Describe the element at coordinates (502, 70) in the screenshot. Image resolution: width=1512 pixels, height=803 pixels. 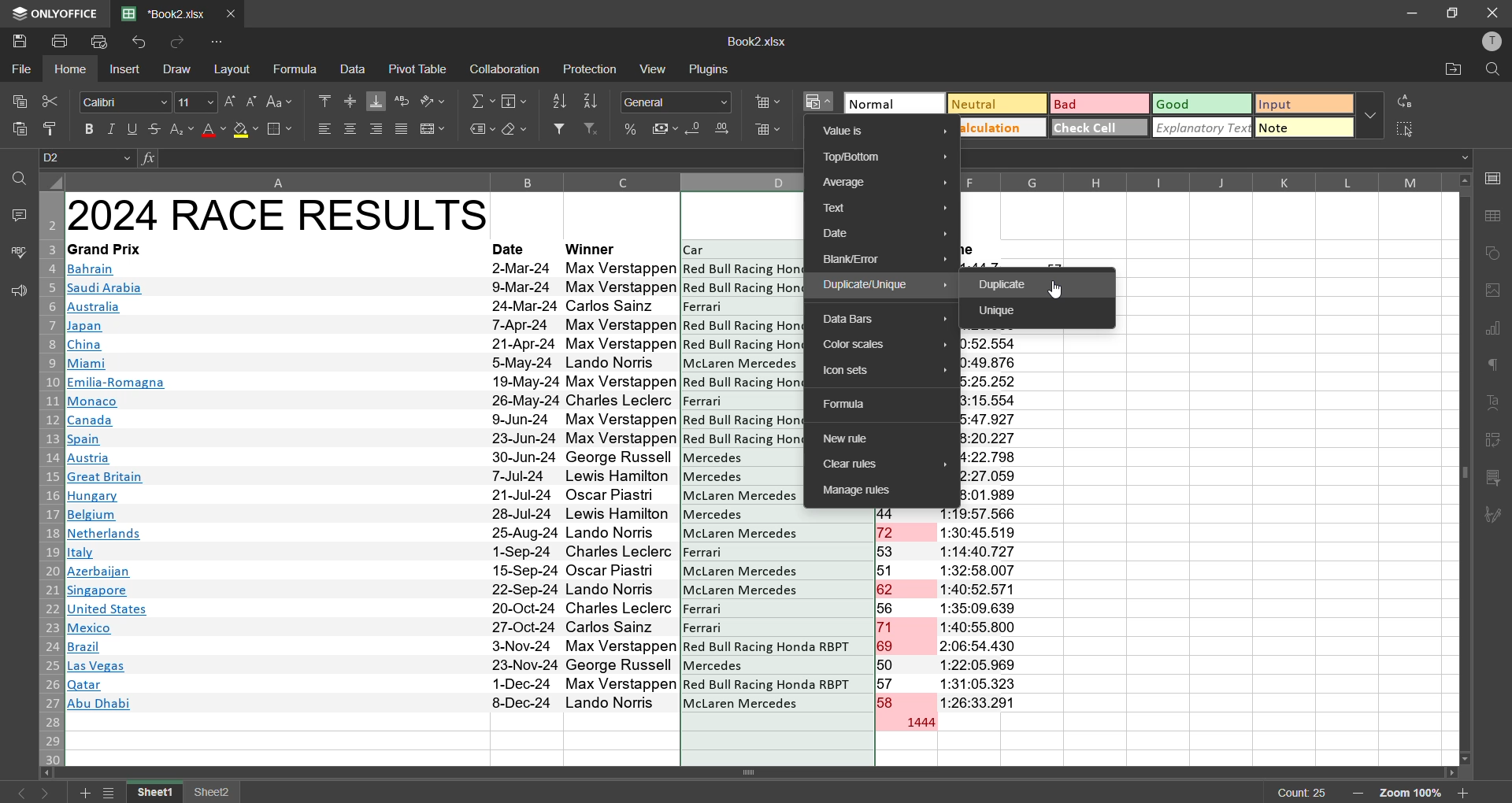
I see `collaboration` at that location.